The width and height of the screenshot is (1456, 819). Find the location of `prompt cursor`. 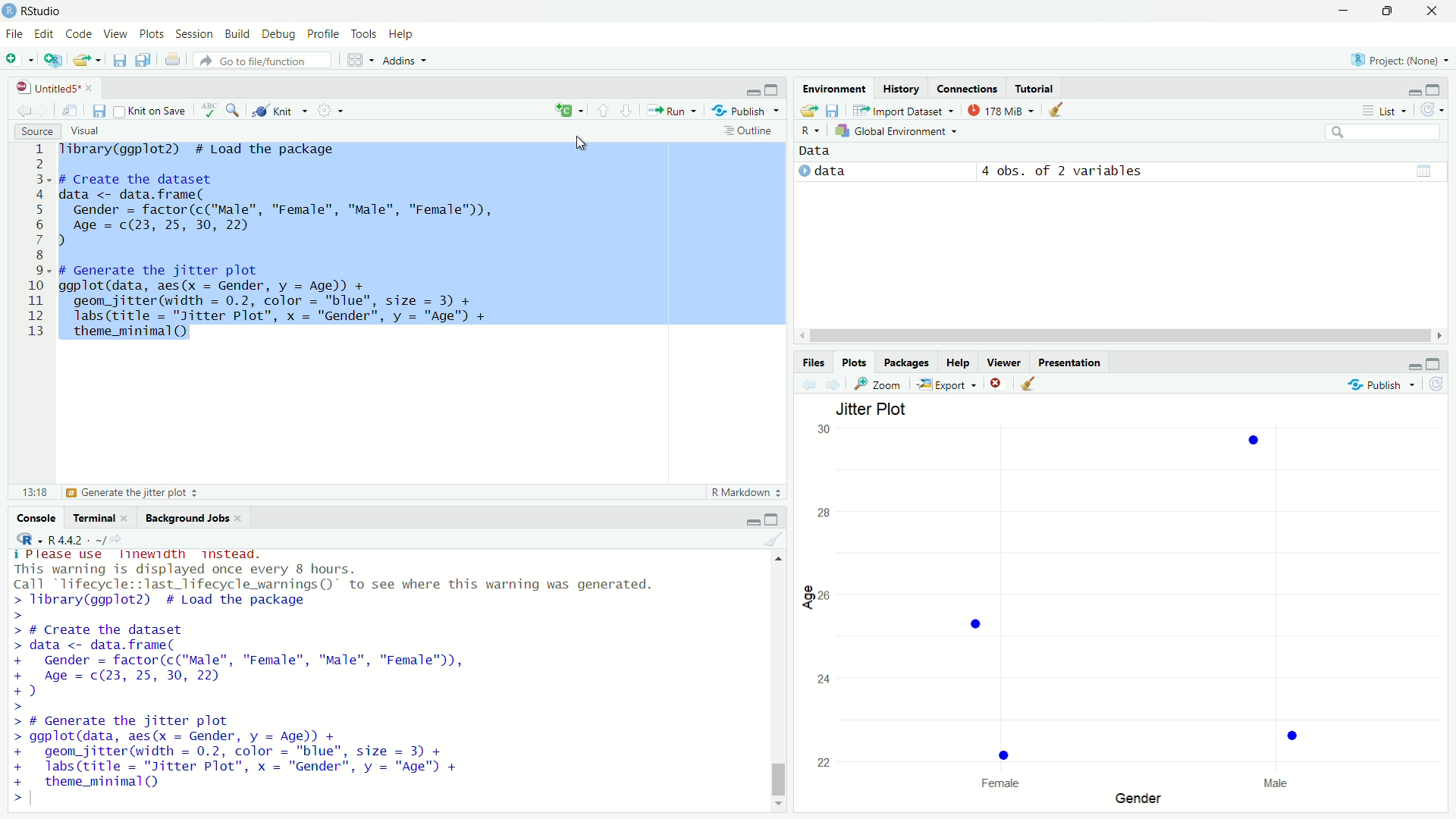

prompt cursor is located at coordinates (17, 707).